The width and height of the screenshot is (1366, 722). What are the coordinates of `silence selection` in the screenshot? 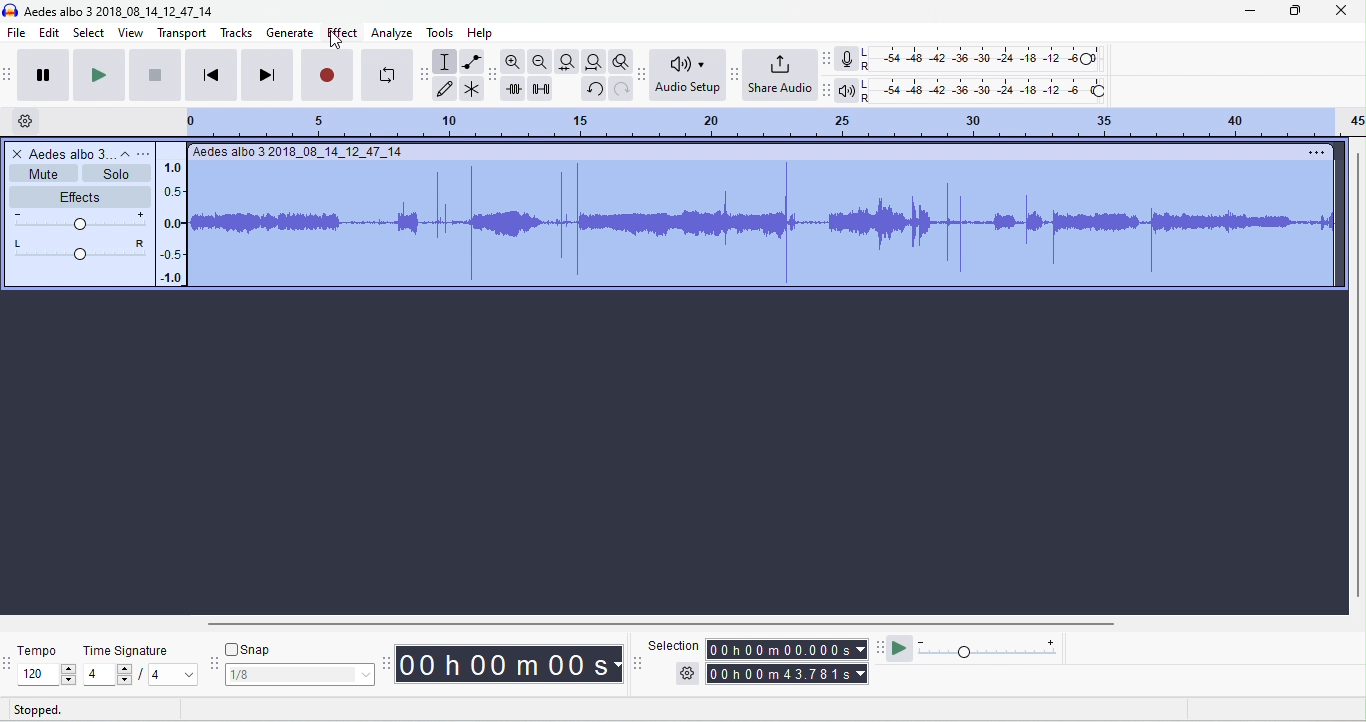 It's located at (541, 88).